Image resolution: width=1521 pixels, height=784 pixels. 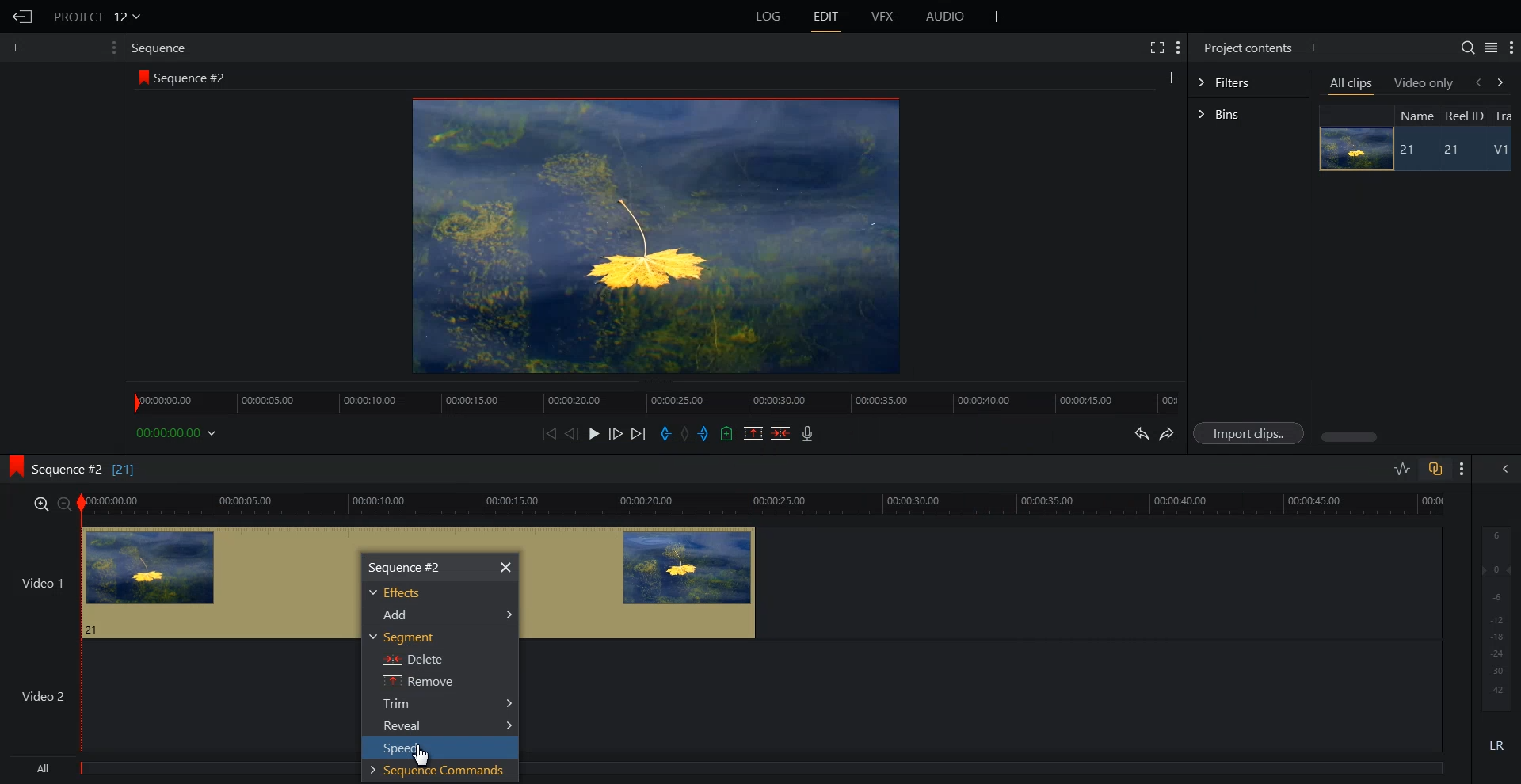 I want to click on video 1, so click(x=177, y=580).